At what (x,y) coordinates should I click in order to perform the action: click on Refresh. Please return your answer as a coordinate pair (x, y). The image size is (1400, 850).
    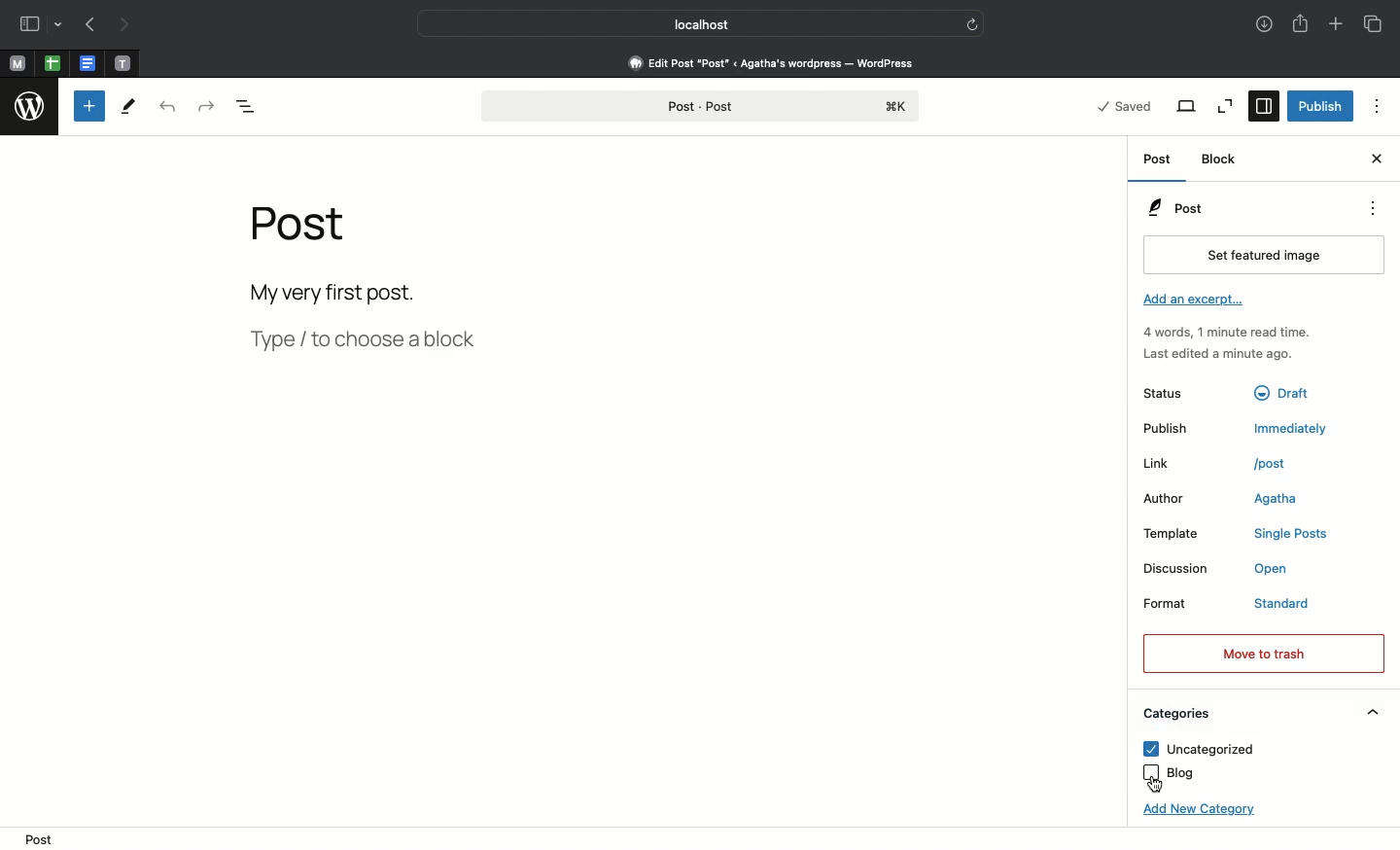
    Looking at the image, I should click on (972, 23).